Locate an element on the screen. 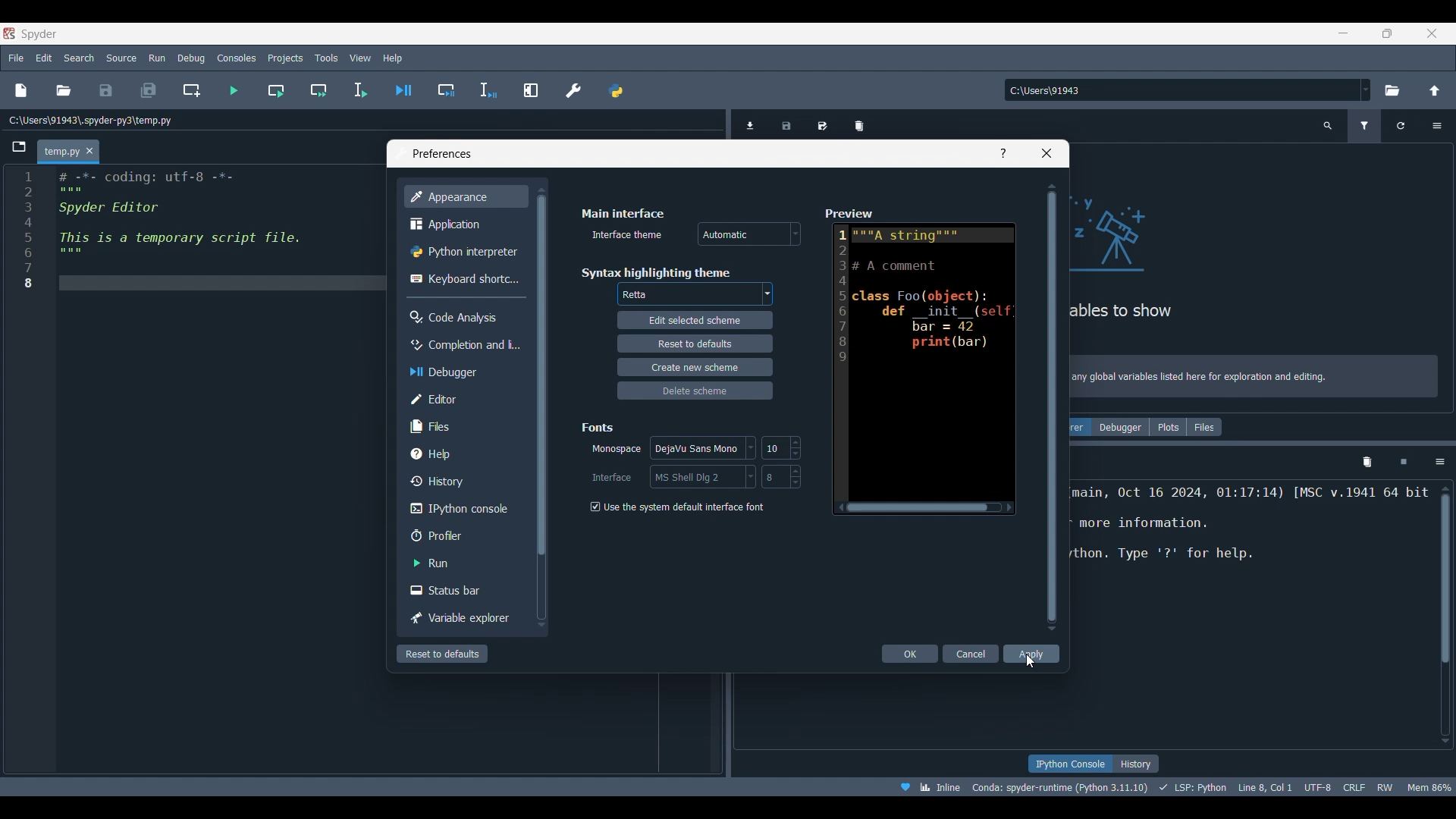 Image resolution: width=1456 pixels, height=819 pixels. Input location is located at coordinates (1181, 90).